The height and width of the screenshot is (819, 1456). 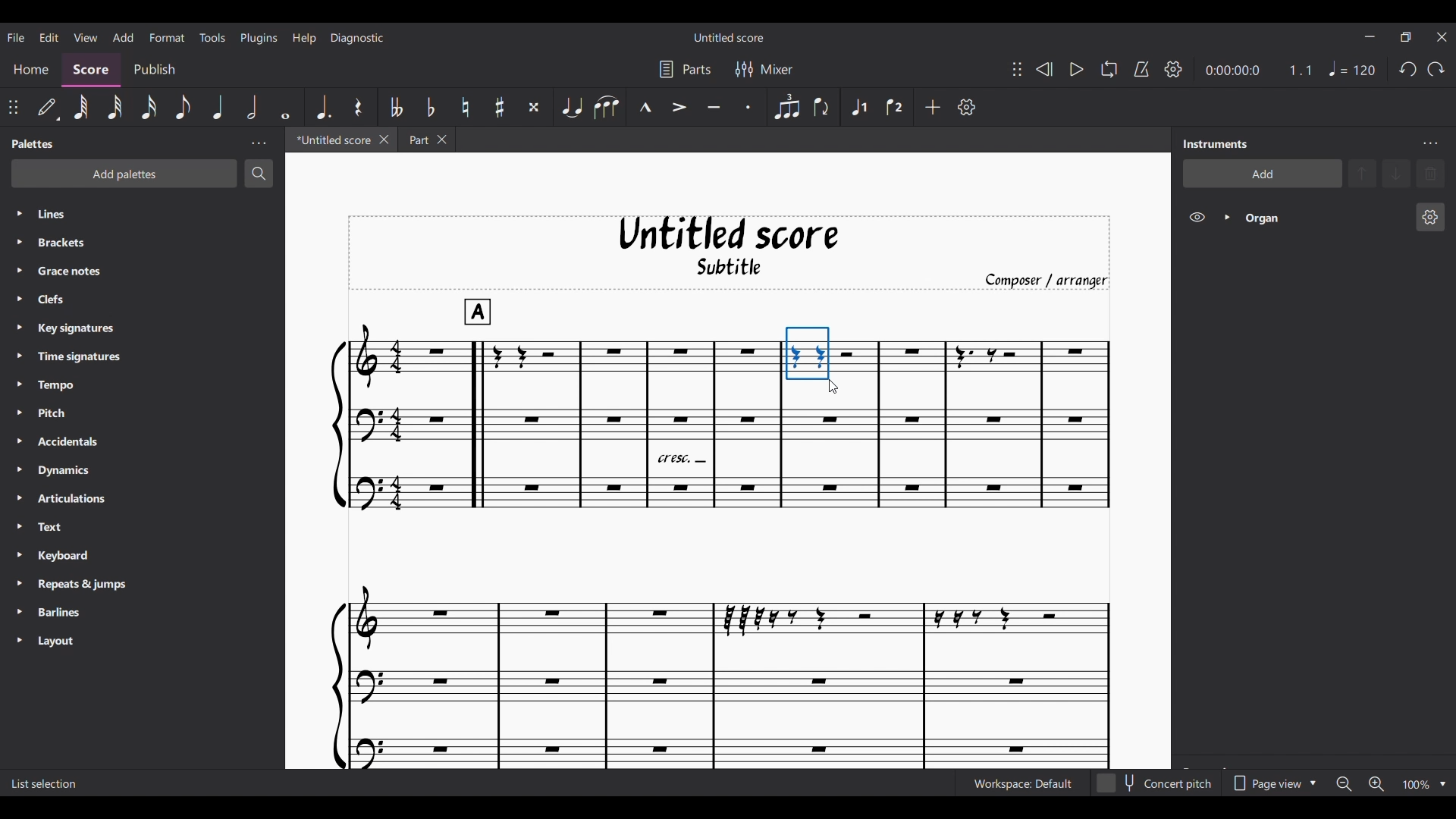 What do you see at coordinates (1406, 37) in the screenshot?
I see `Show interface in smaller tab` at bounding box center [1406, 37].